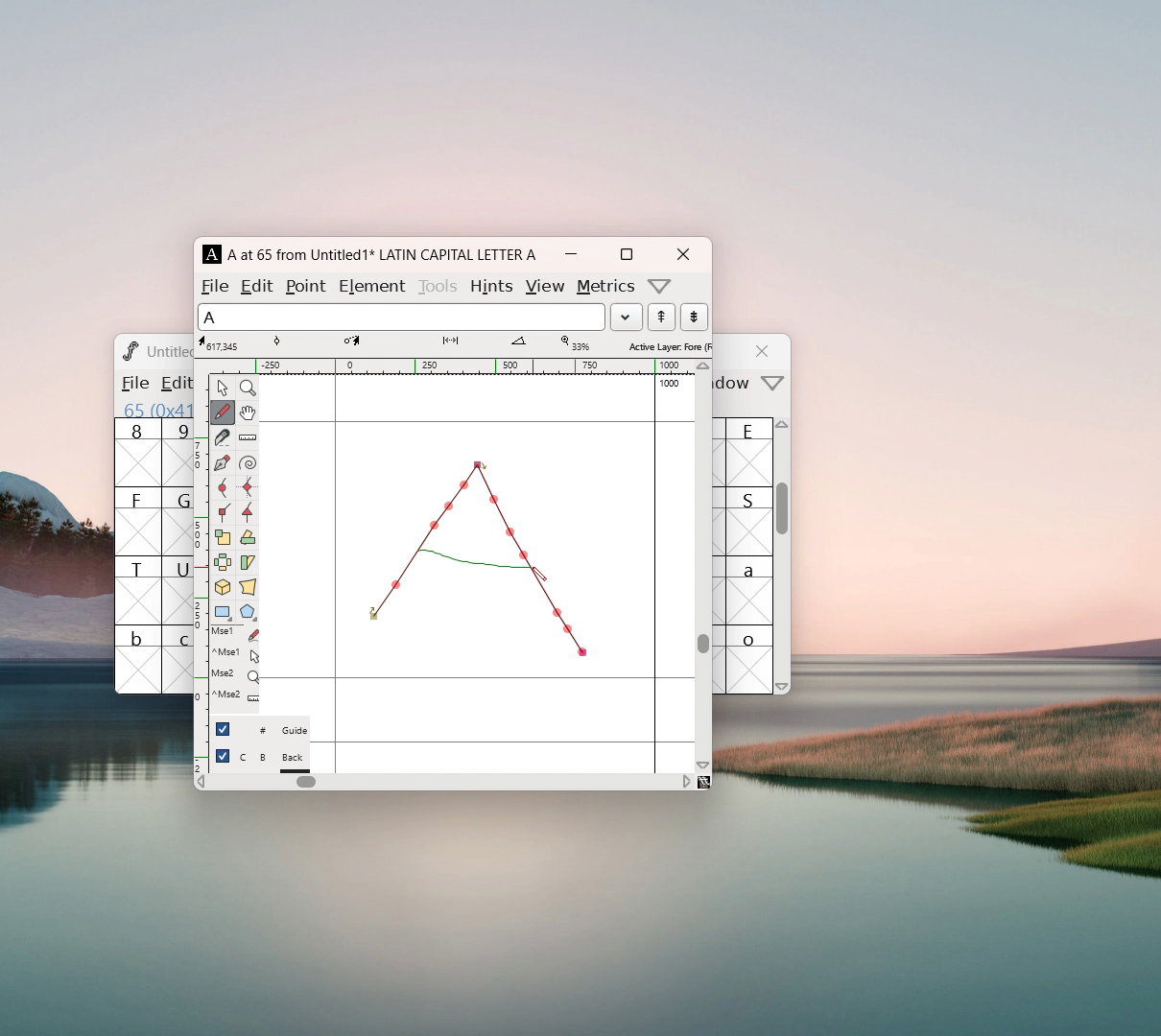  Describe the element at coordinates (223, 589) in the screenshot. I see `rotate the selection to 3D and project back to plane` at that location.